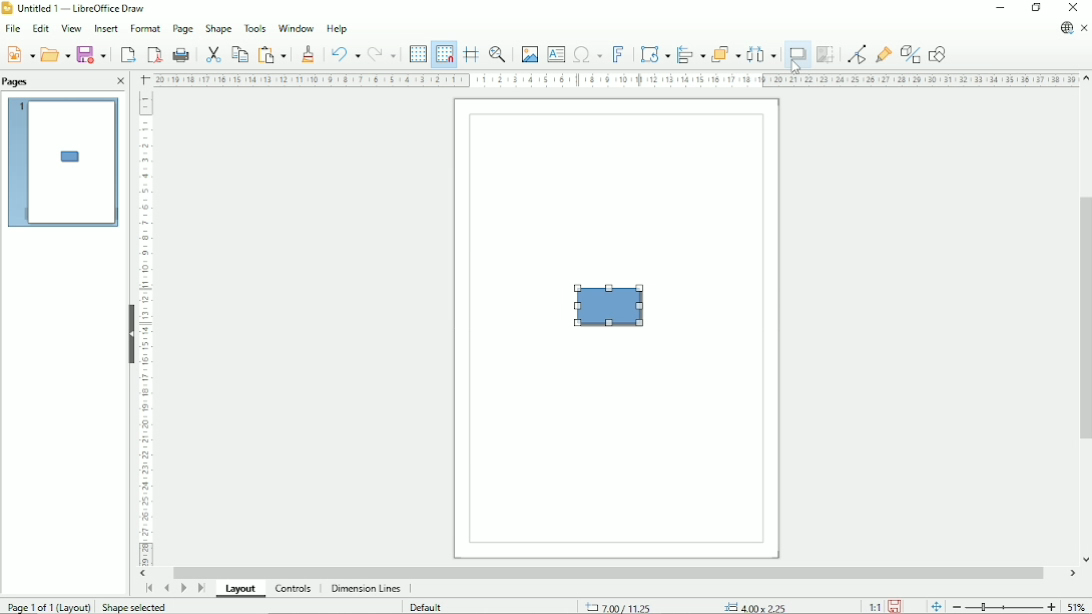  What do you see at coordinates (1079, 608) in the screenshot?
I see `Zoom factor` at bounding box center [1079, 608].